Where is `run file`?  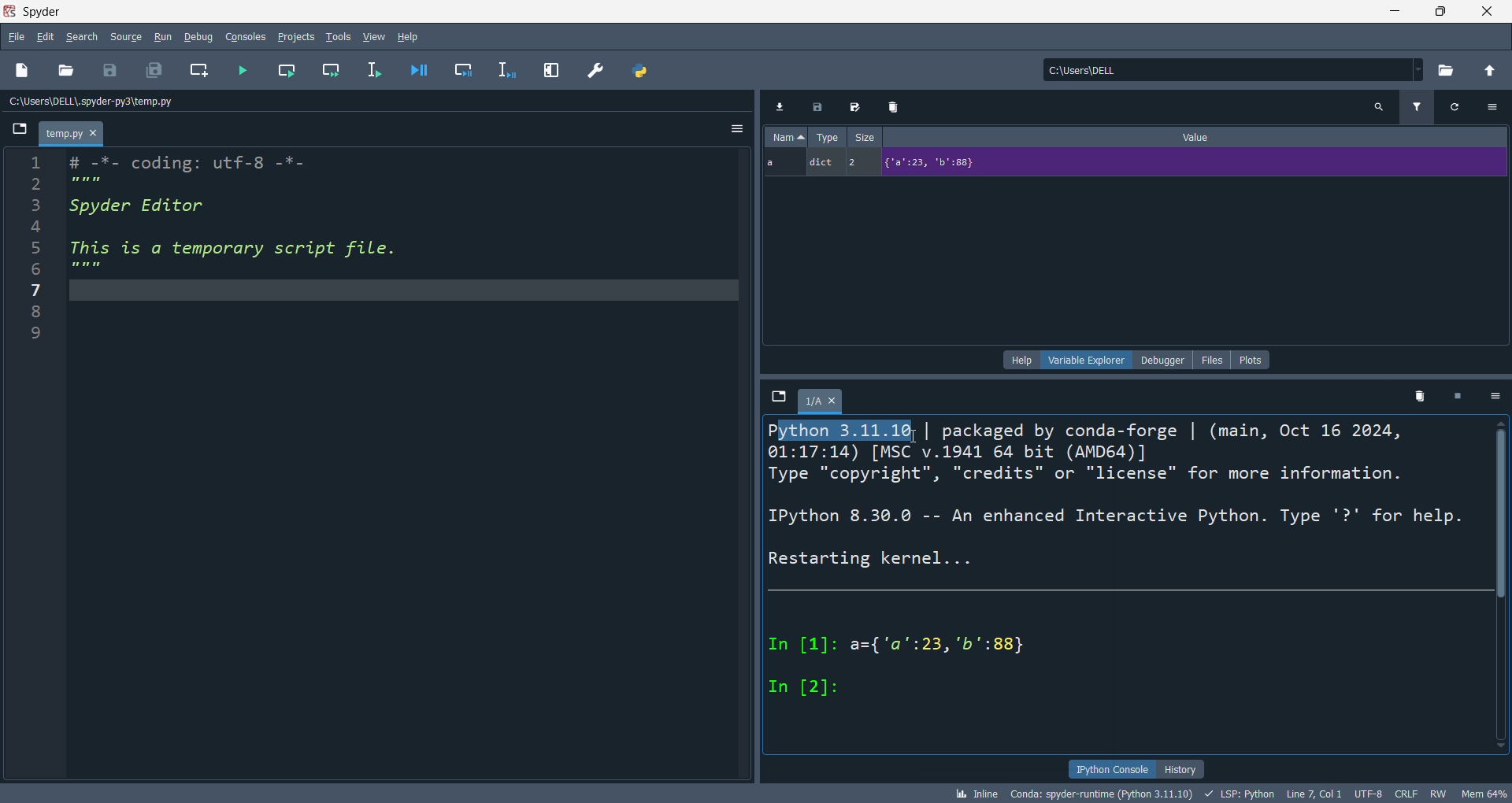
run file is located at coordinates (244, 68).